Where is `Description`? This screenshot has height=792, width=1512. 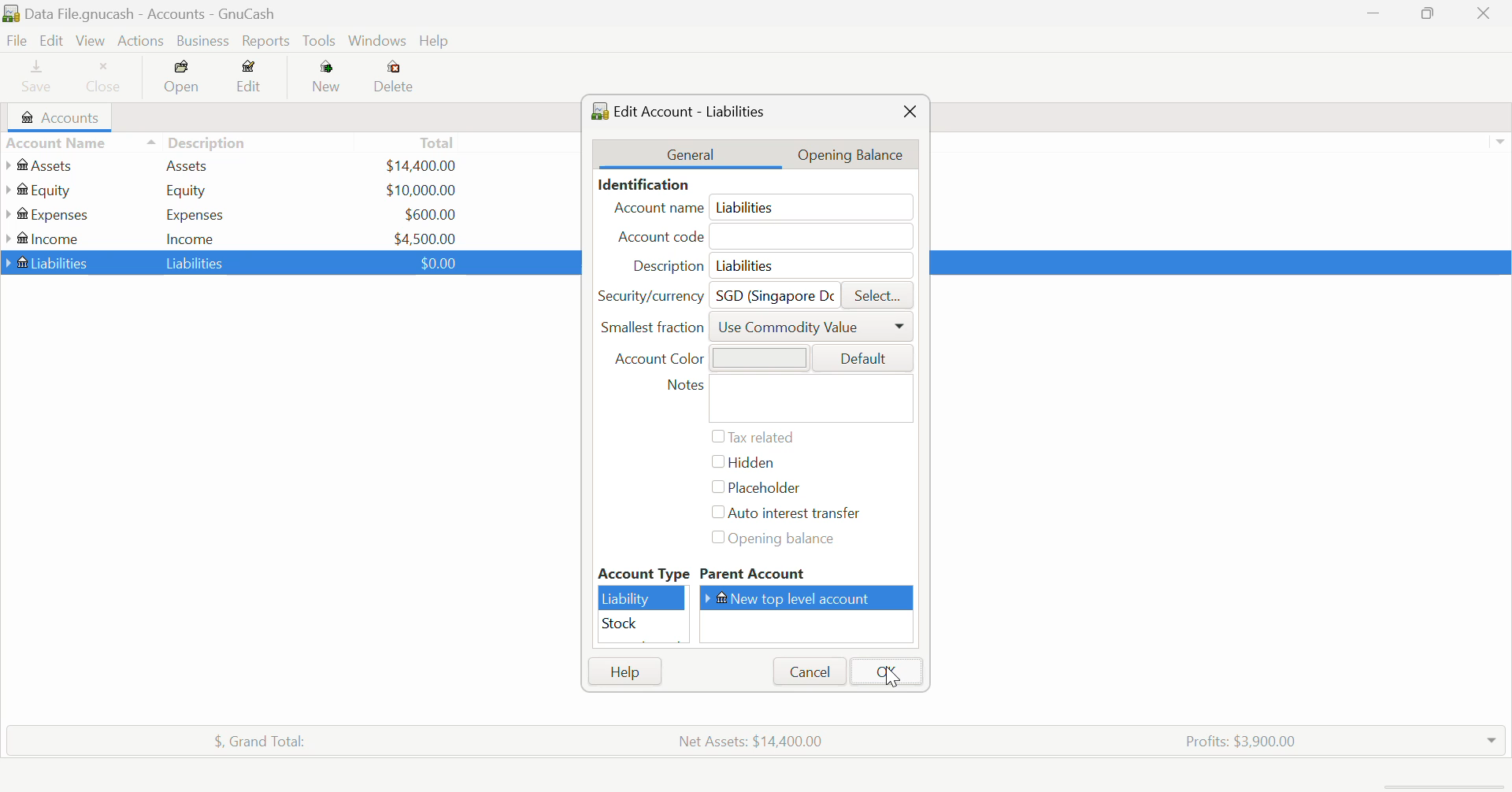
Description is located at coordinates (197, 141).